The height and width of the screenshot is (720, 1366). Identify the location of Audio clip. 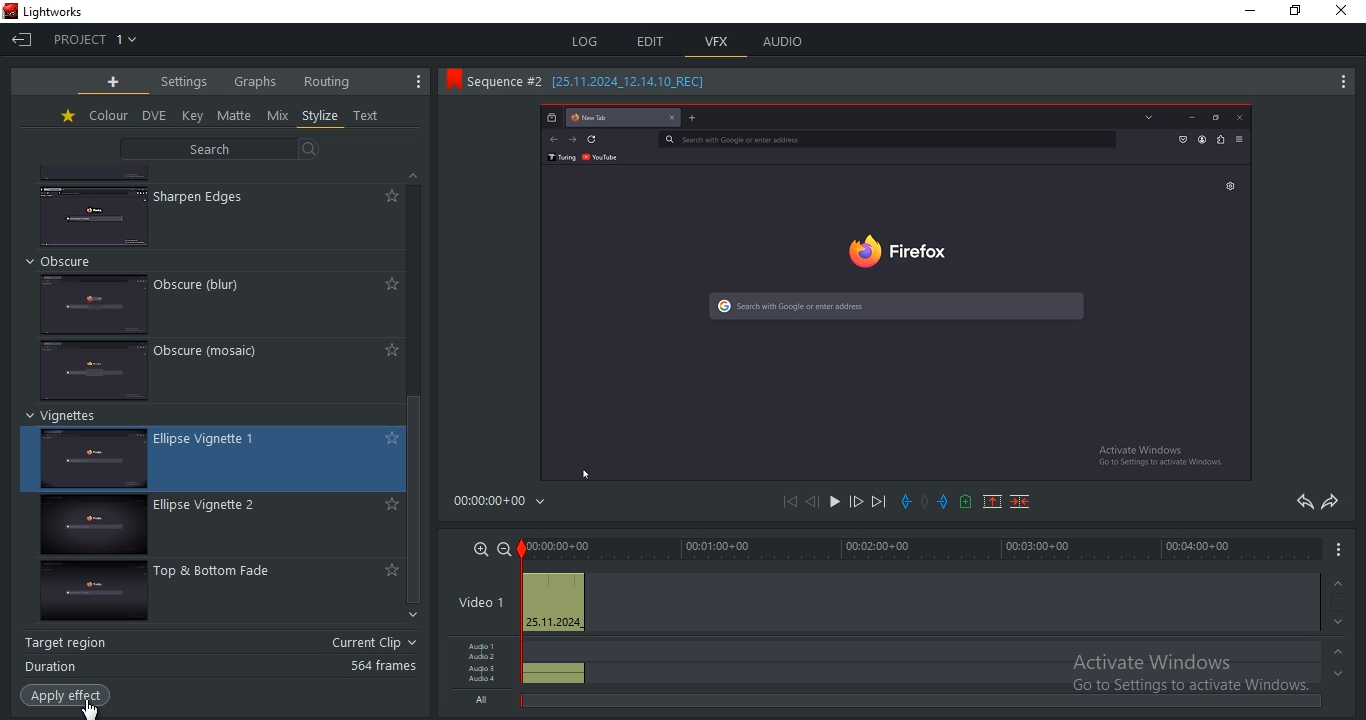
(555, 667).